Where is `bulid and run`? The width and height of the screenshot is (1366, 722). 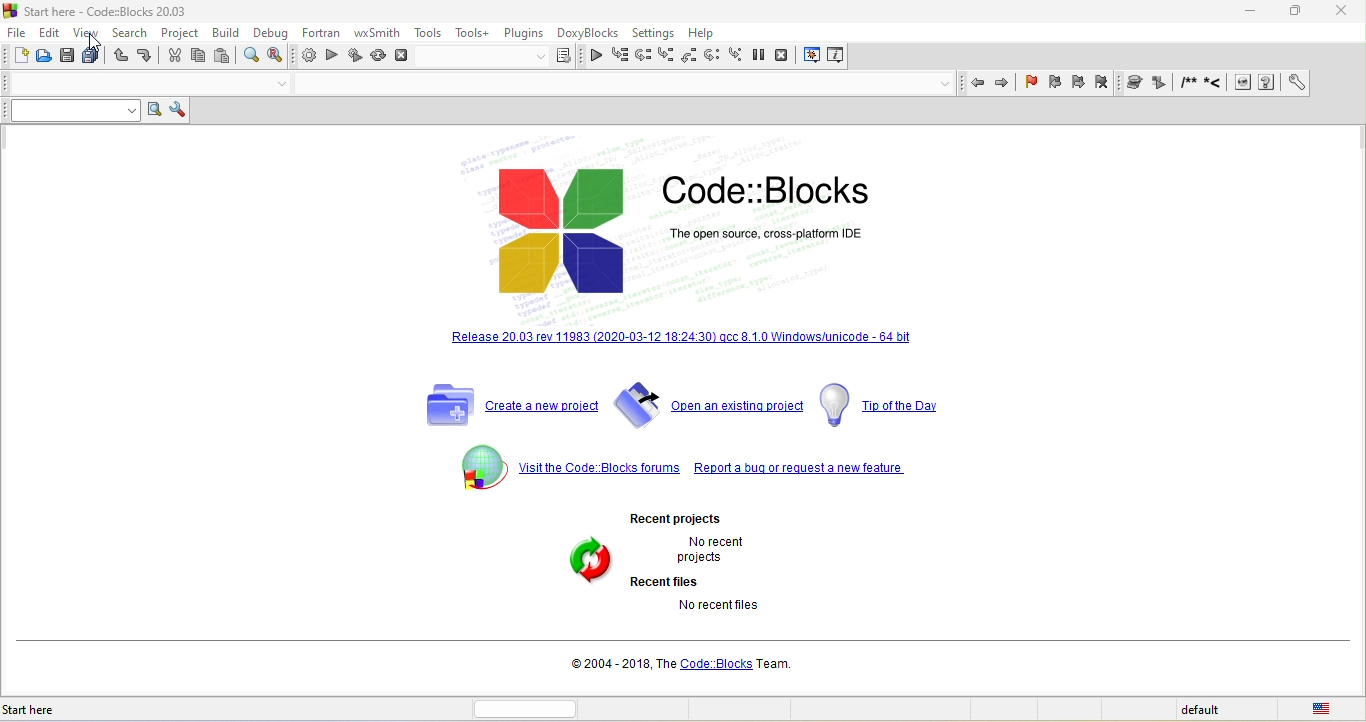
bulid and run is located at coordinates (356, 57).